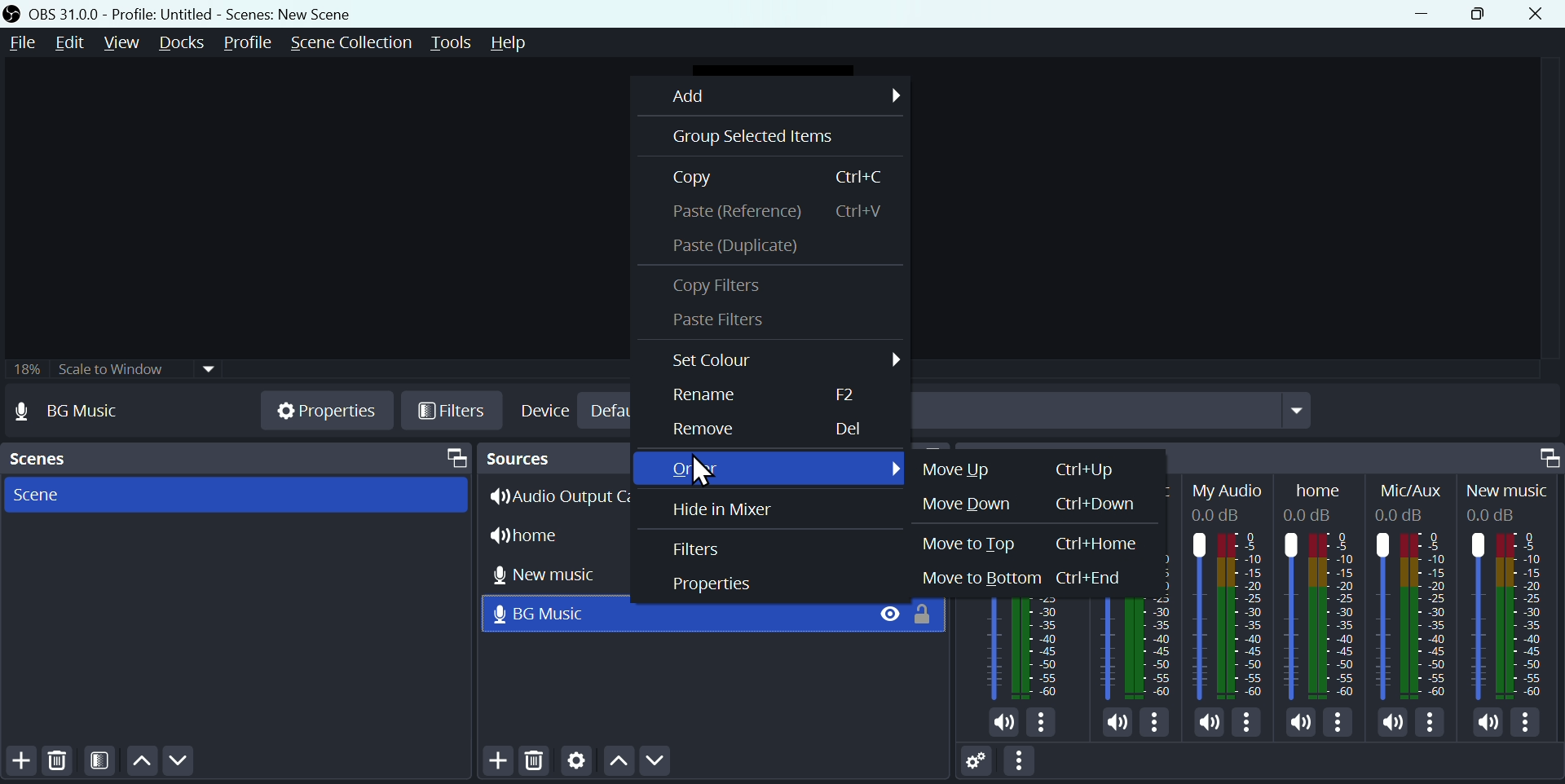  I want to click on File, so click(24, 44).